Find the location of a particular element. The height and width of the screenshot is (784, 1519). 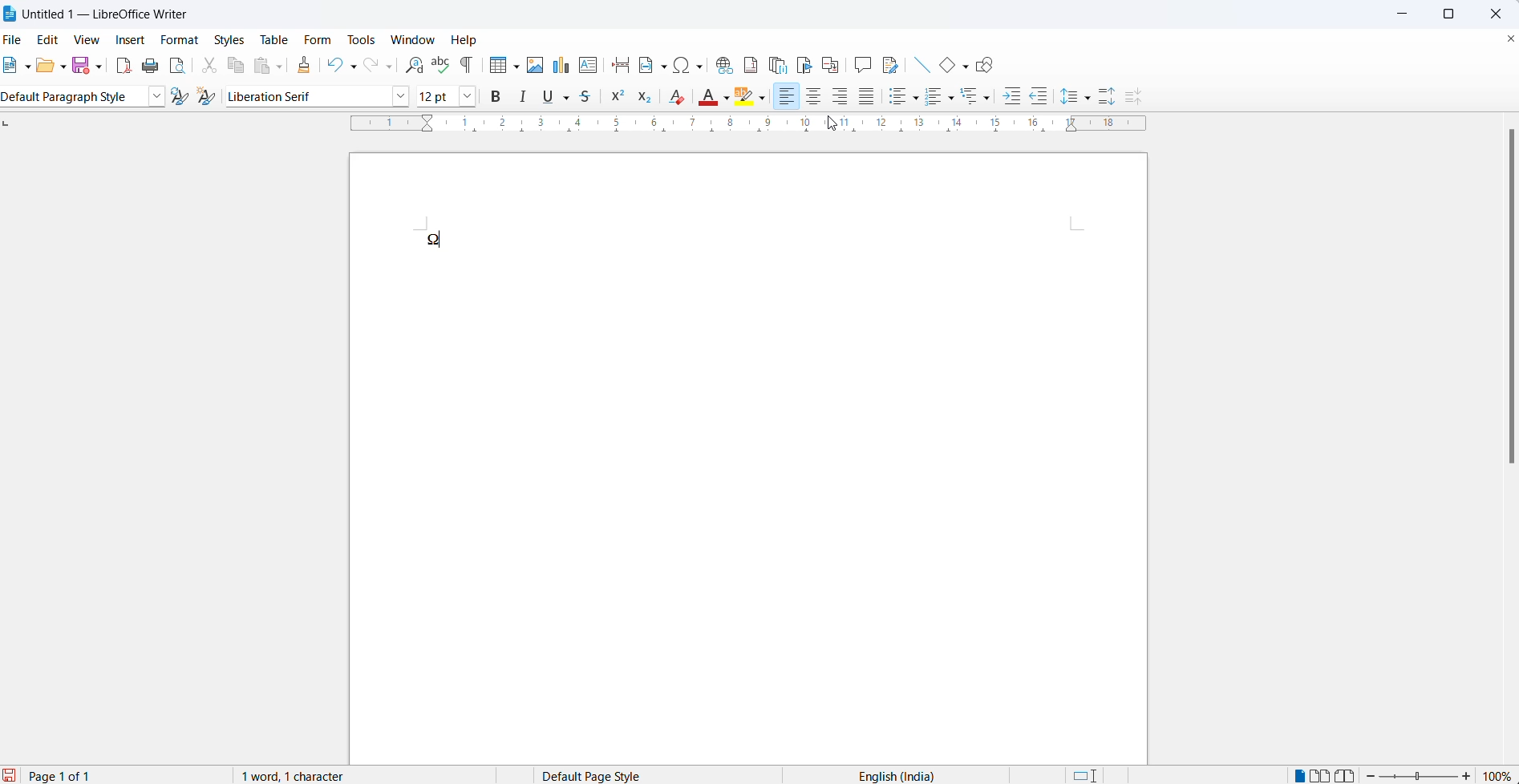

paragraph style is located at coordinates (152, 97).